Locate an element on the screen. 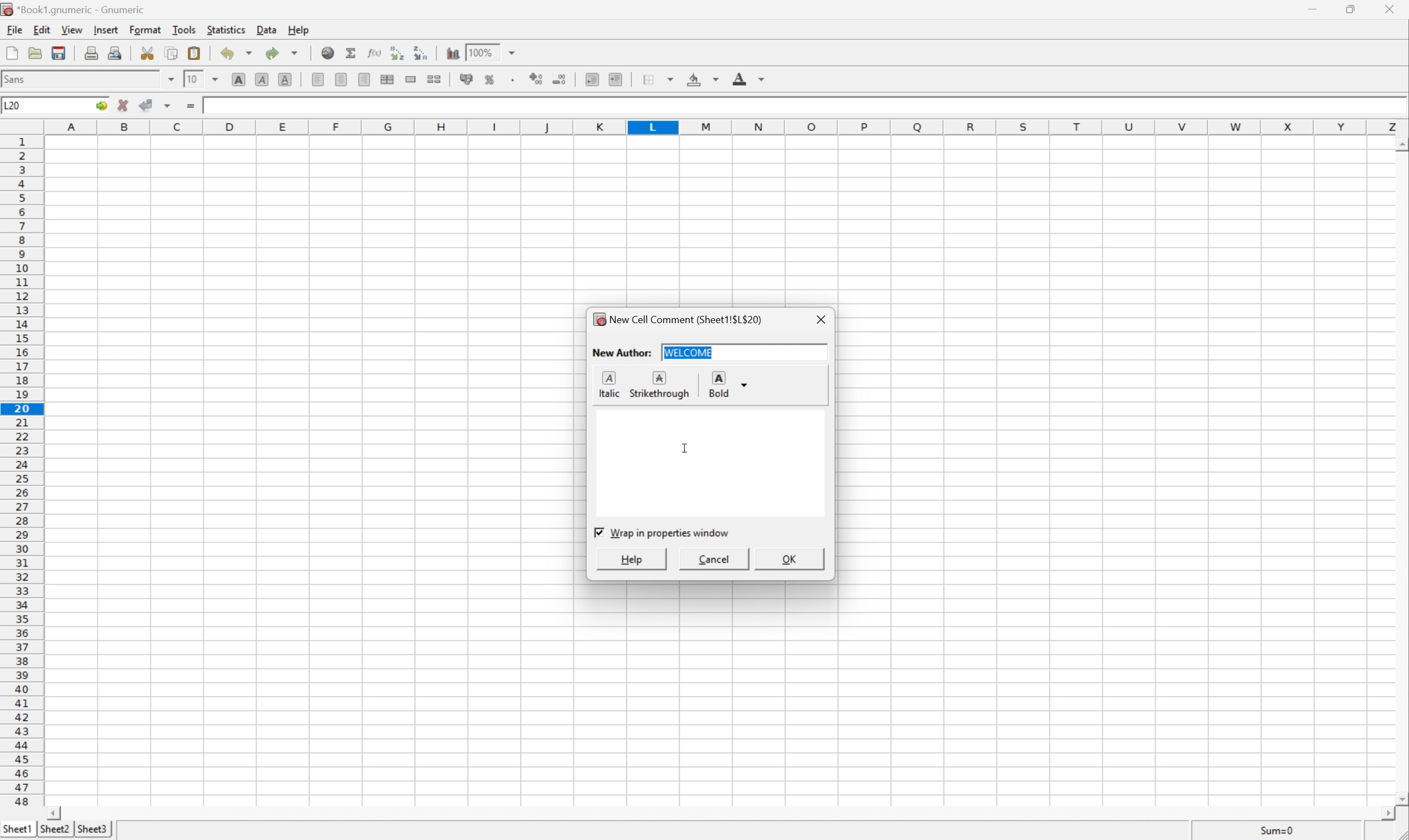  Format the selection as percentage is located at coordinates (490, 79).